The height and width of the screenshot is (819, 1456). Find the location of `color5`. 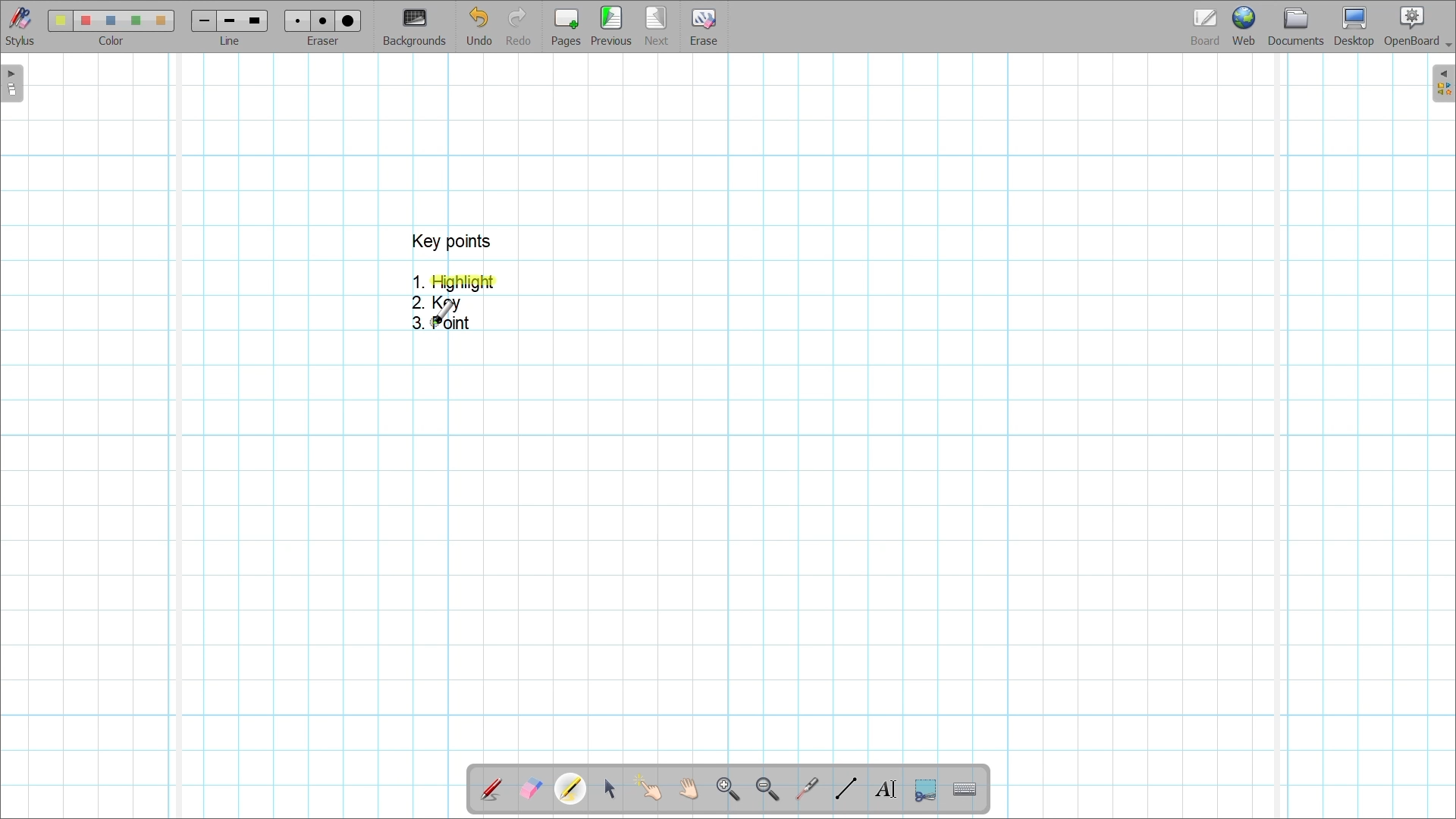

color5 is located at coordinates (159, 21).